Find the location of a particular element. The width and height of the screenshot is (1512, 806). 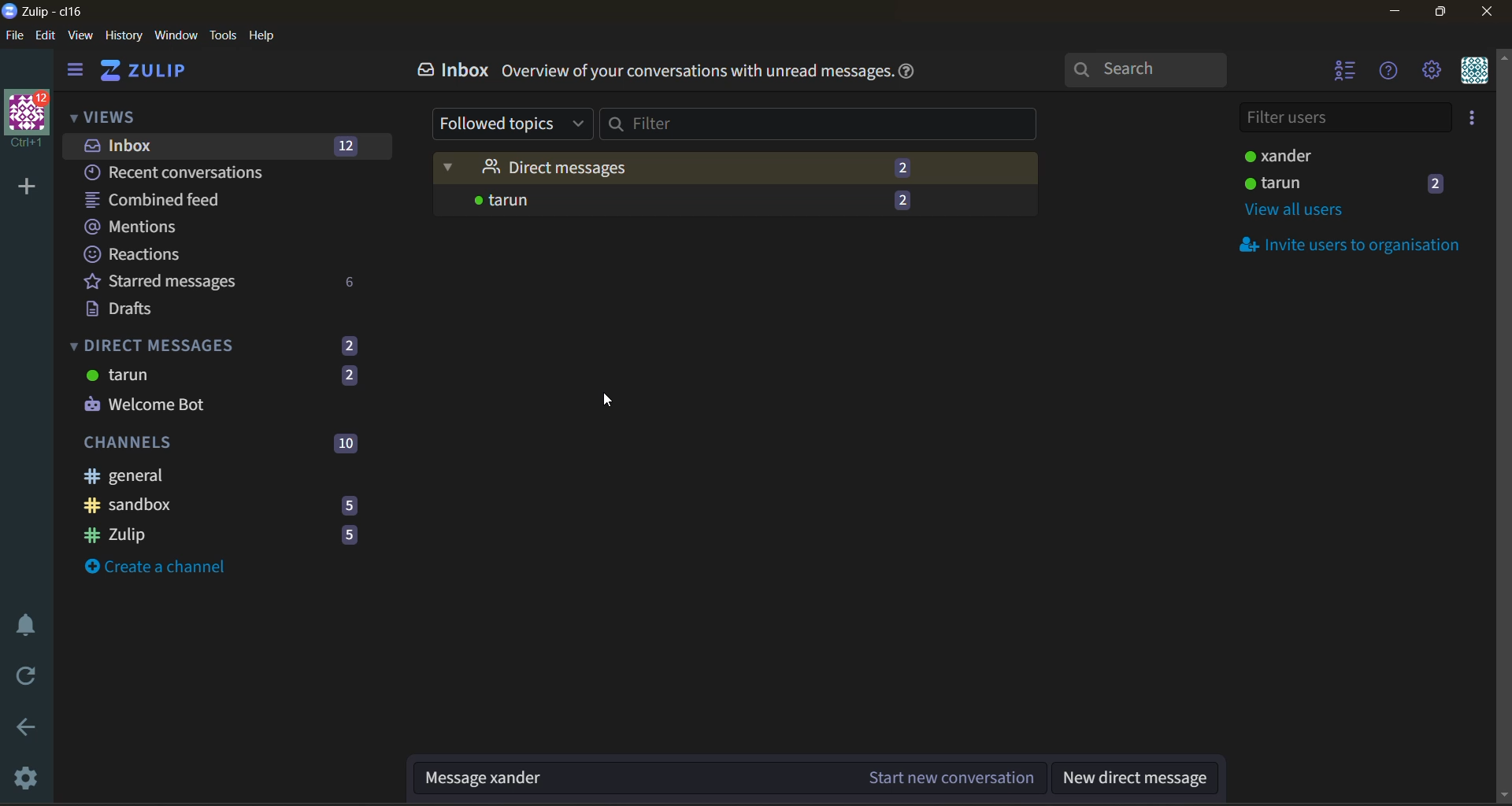

views is located at coordinates (105, 115).